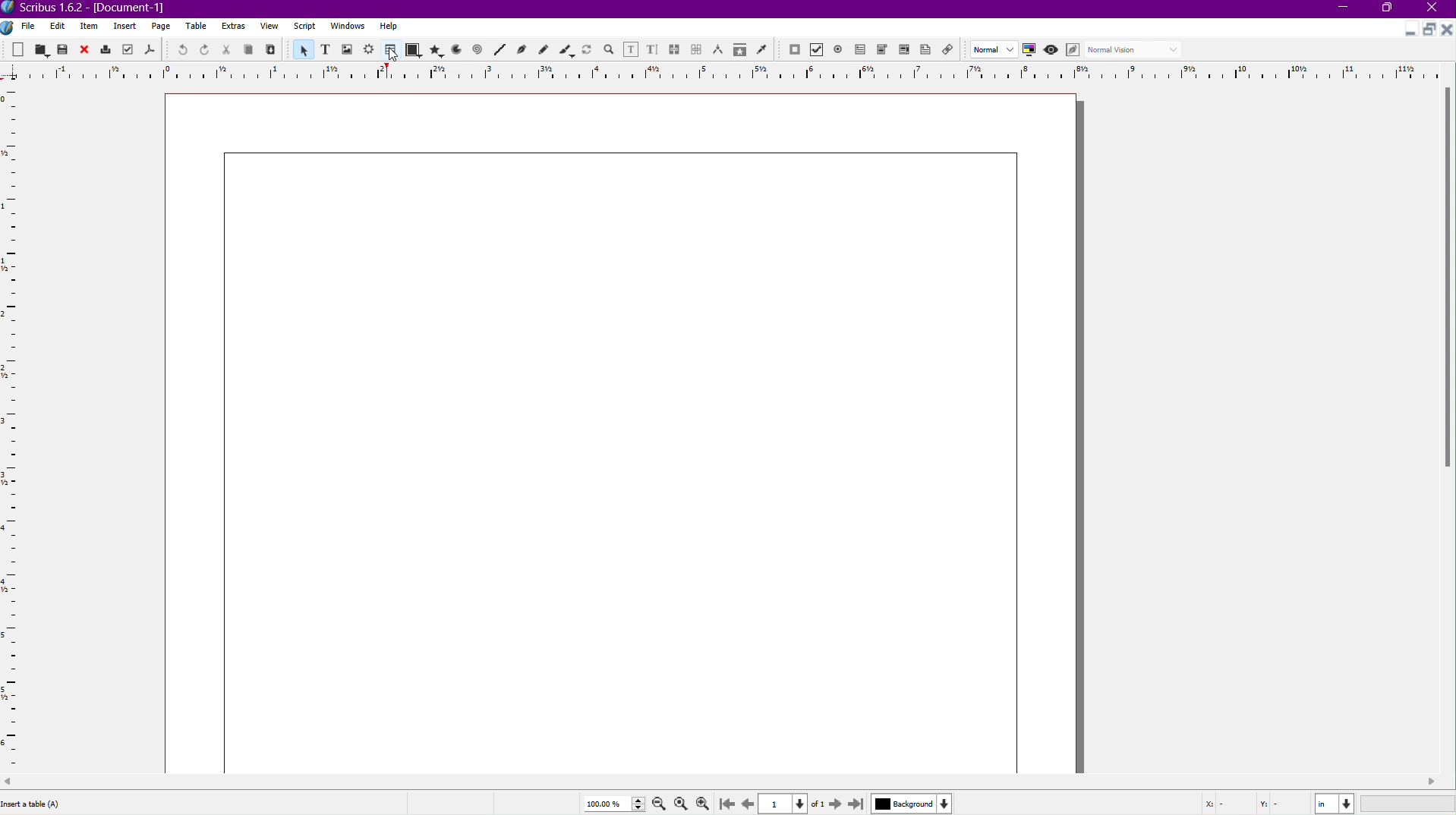 The image size is (1456, 815). What do you see at coordinates (730, 803) in the screenshot?
I see `Go to First Page` at bounding box center [730, 803].